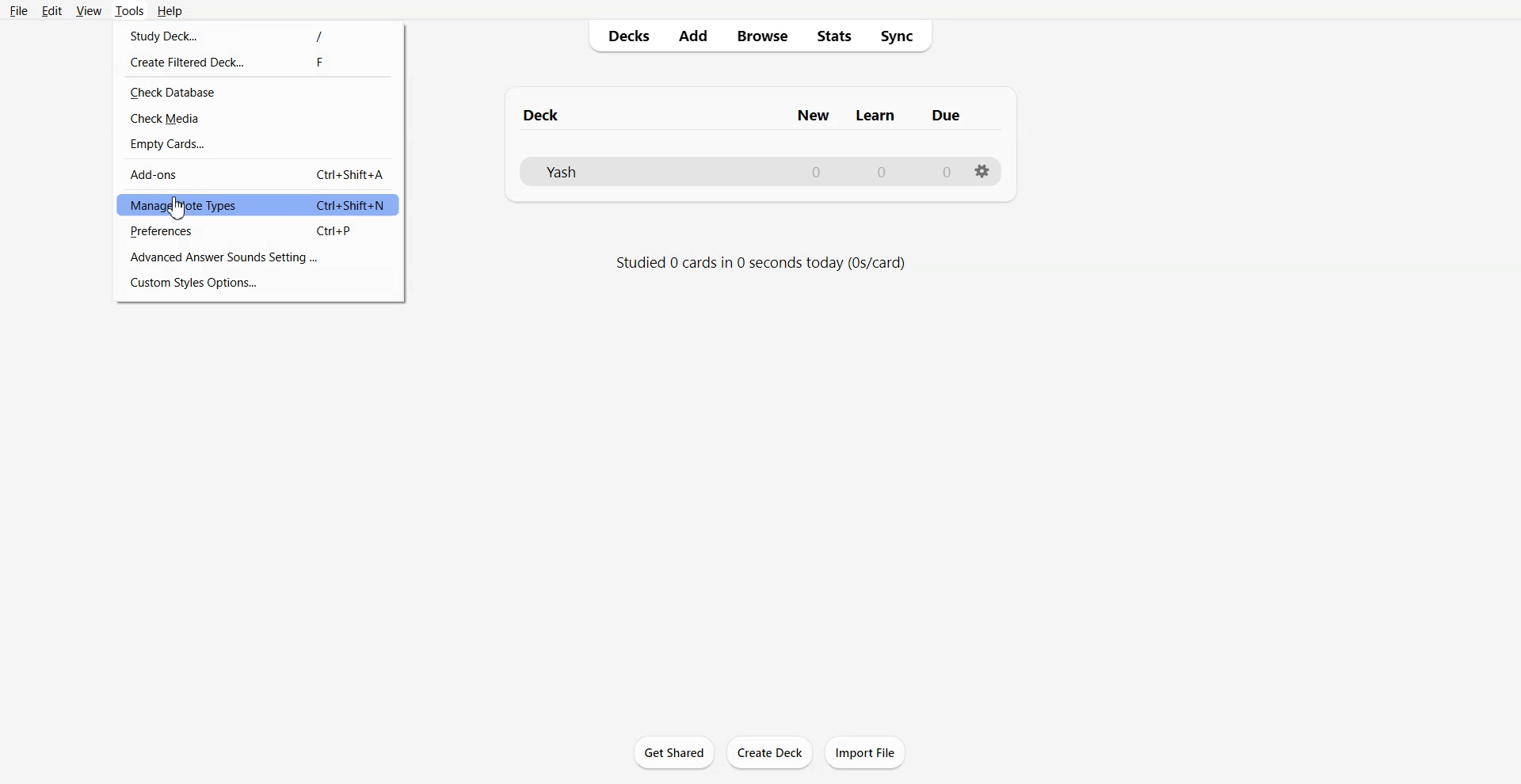 The height and width of the screenshot is (784, 1521). I want to click on File, so click(17, 10).